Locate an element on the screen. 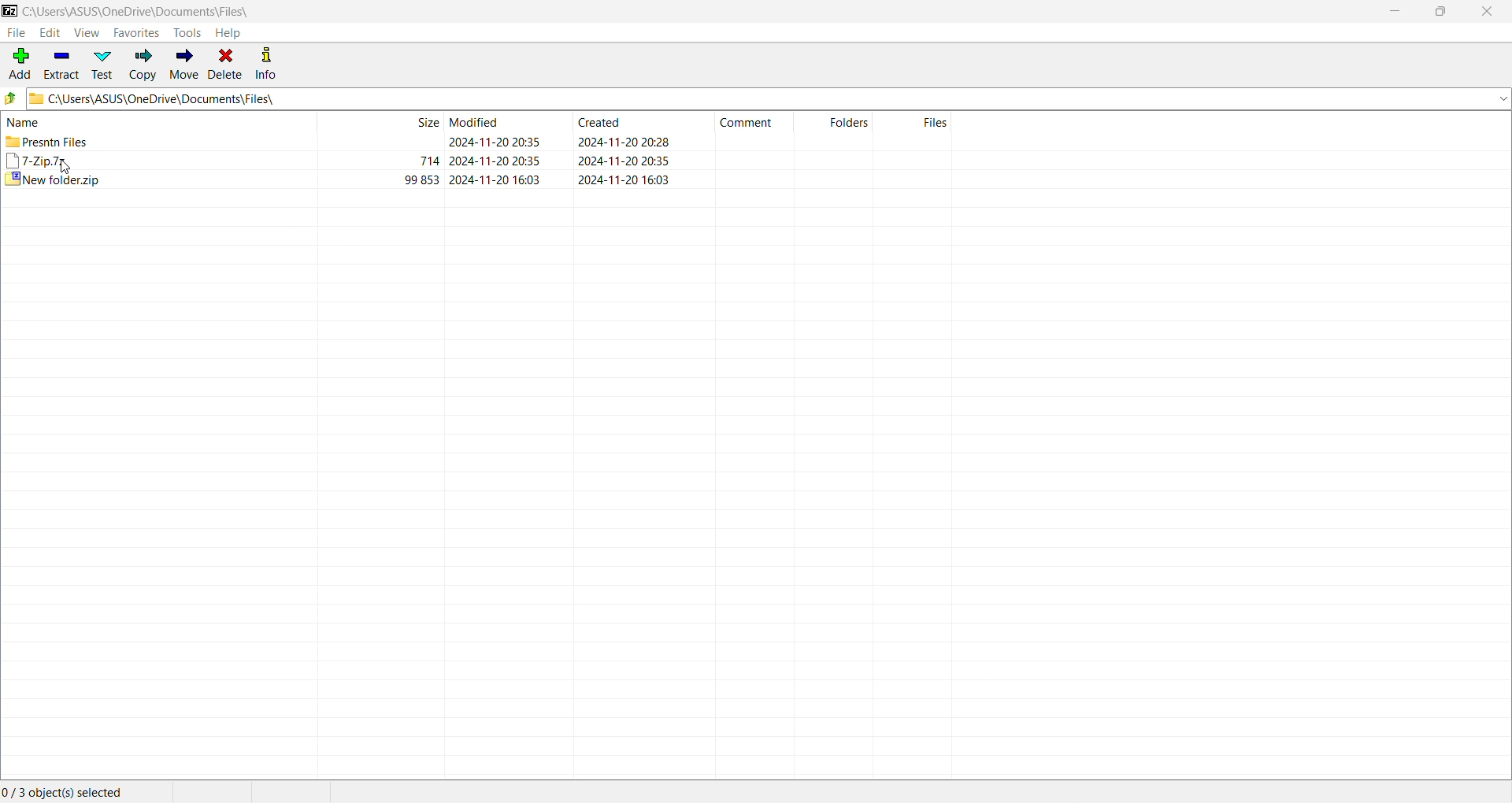 The image size is (1512, 803). Info is located at coordinates (266, 61).